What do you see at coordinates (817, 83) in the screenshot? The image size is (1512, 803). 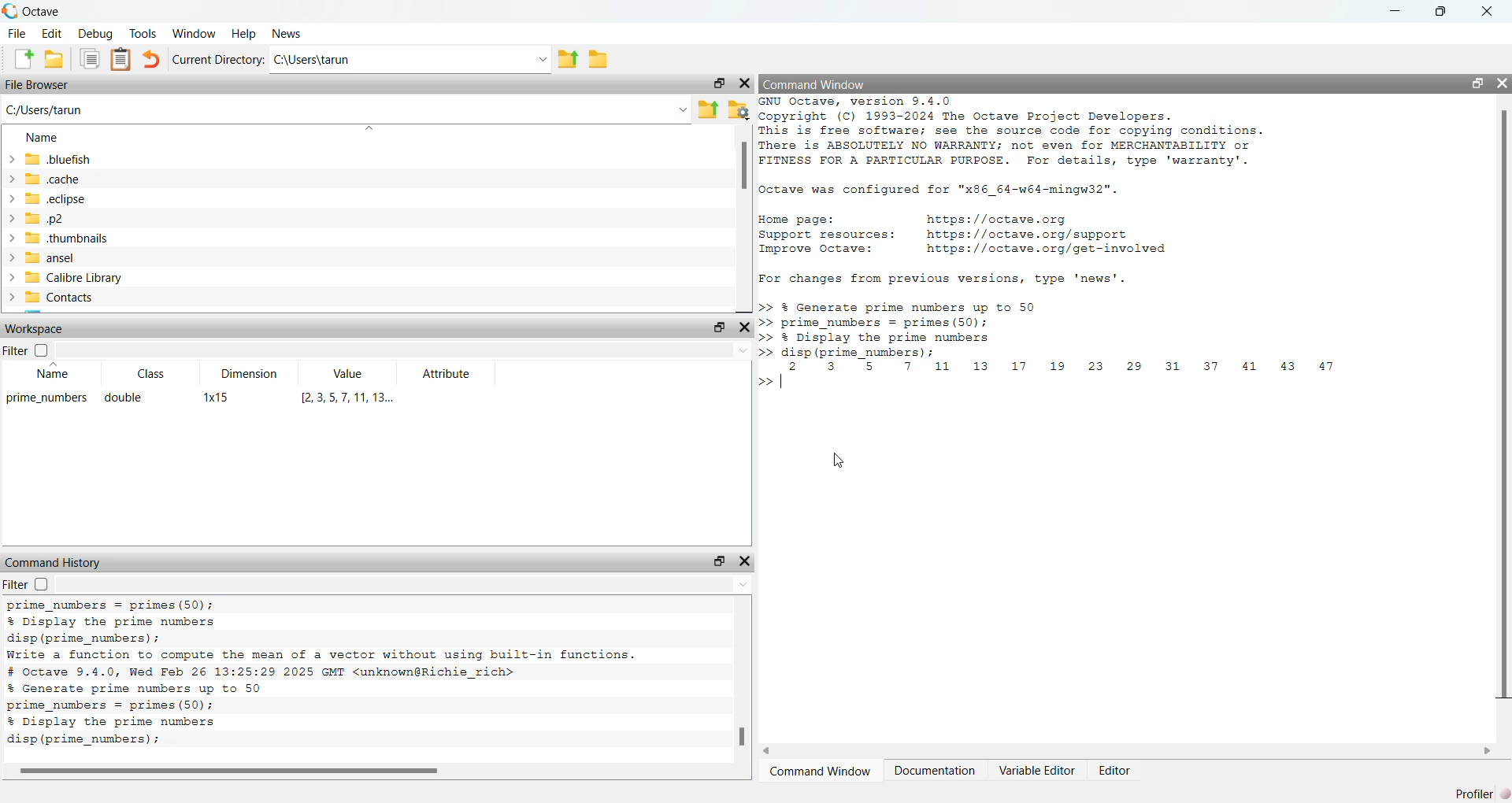 I see `‘Command Window` at bounding box center [817, 83].